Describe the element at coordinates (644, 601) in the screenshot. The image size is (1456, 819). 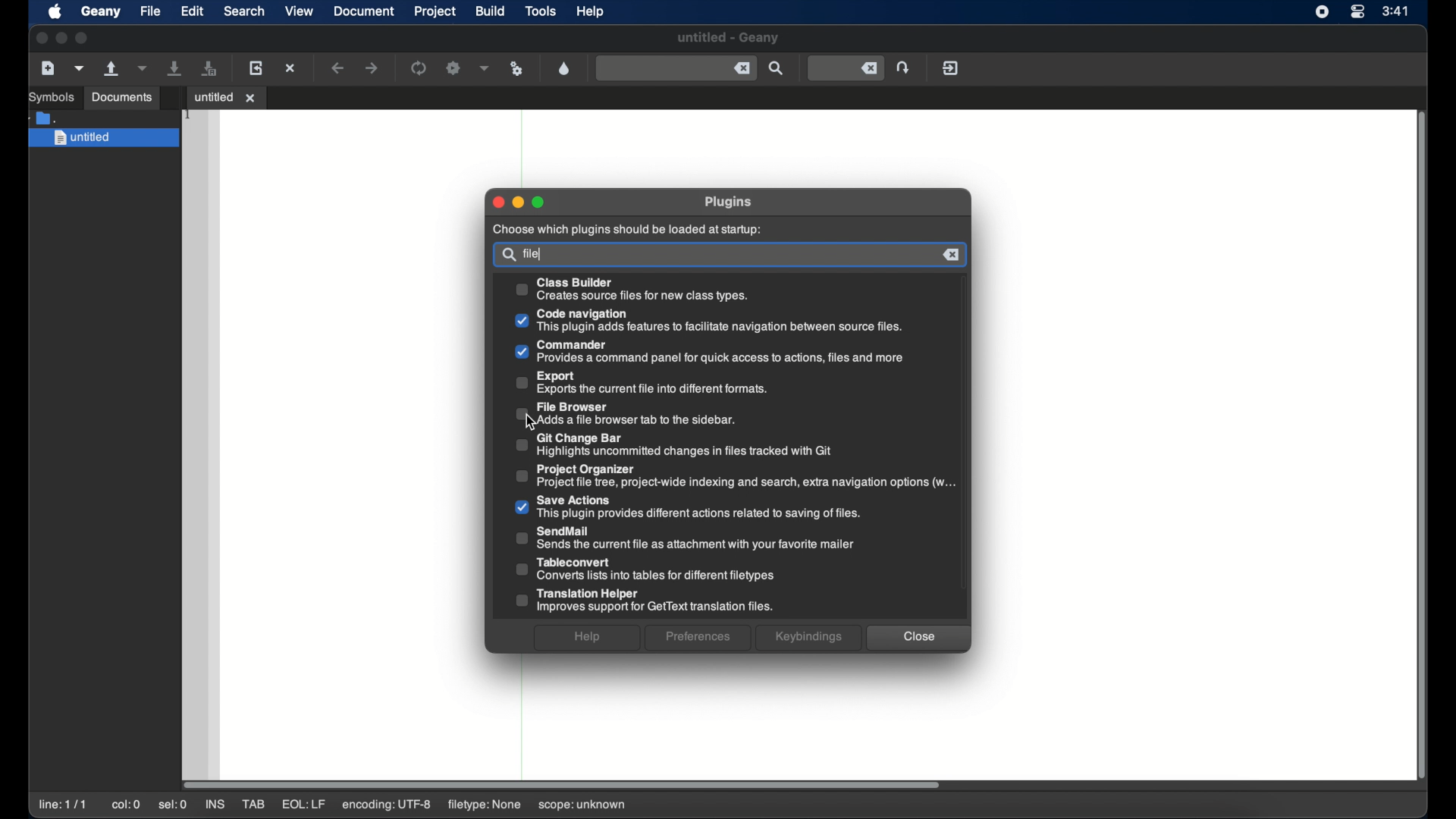
I see `translation helper` at that location.